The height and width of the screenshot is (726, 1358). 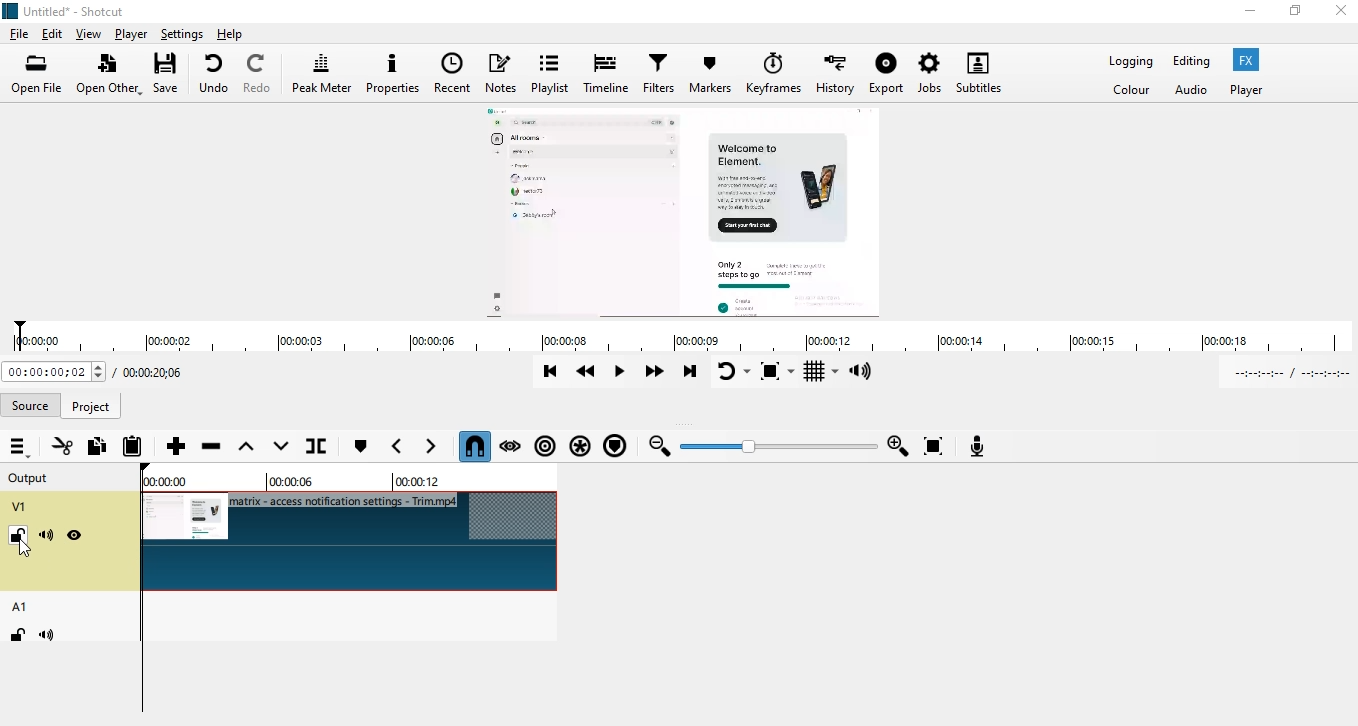 I want to click on subtitles, so click(x=978, y=73).